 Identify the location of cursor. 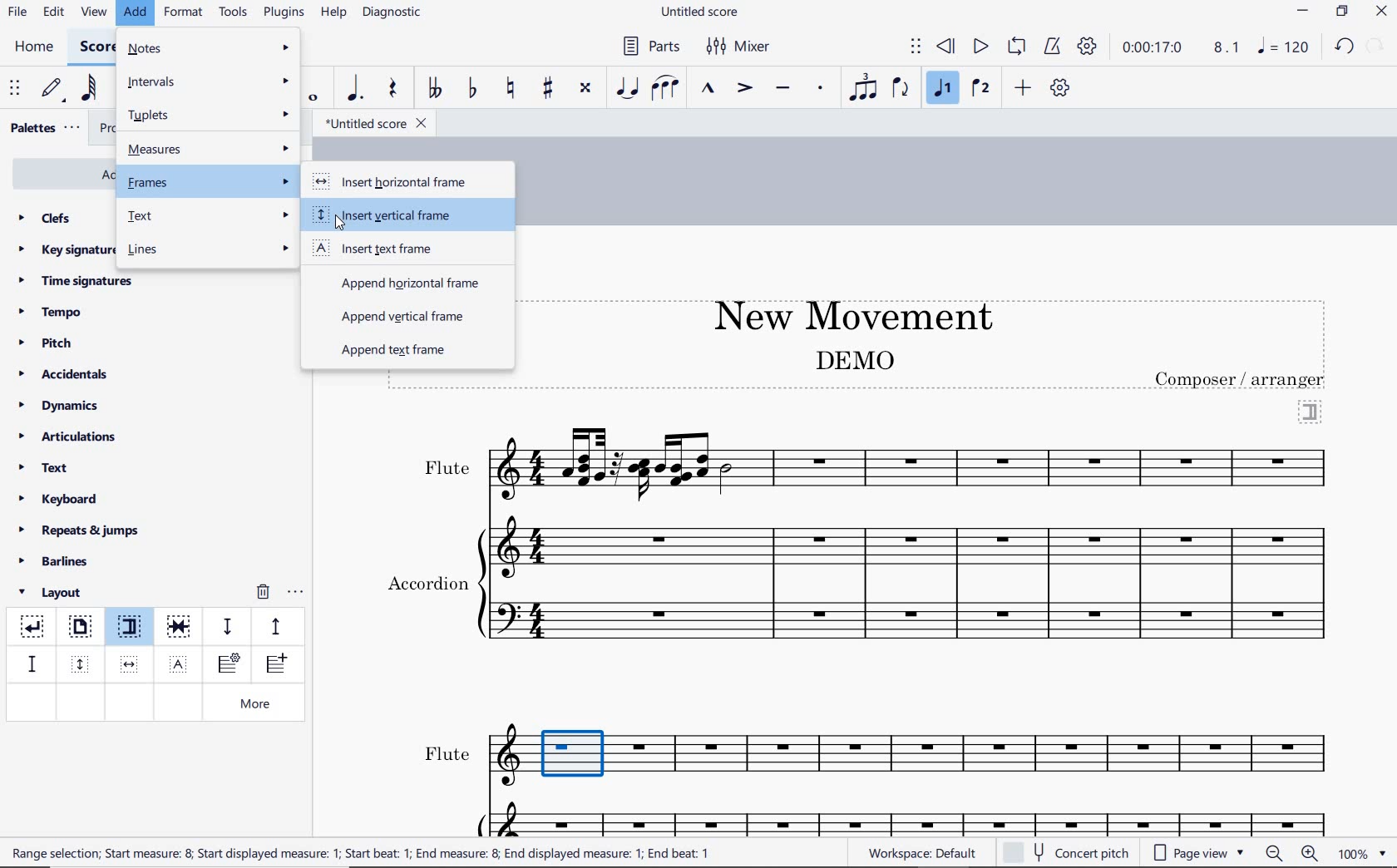
(342, 219).